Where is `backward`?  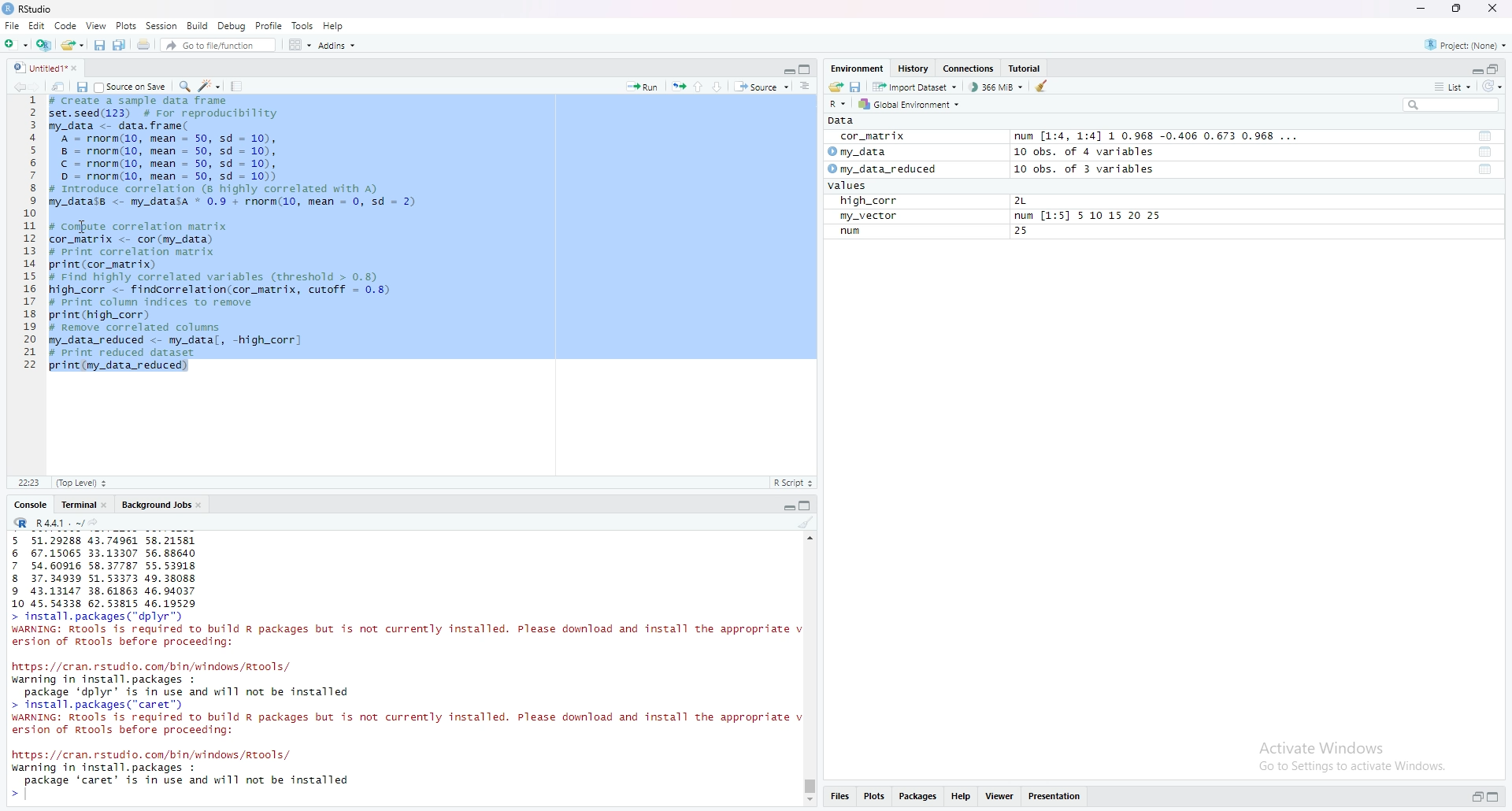 backward is located at coordinates (17, 87).